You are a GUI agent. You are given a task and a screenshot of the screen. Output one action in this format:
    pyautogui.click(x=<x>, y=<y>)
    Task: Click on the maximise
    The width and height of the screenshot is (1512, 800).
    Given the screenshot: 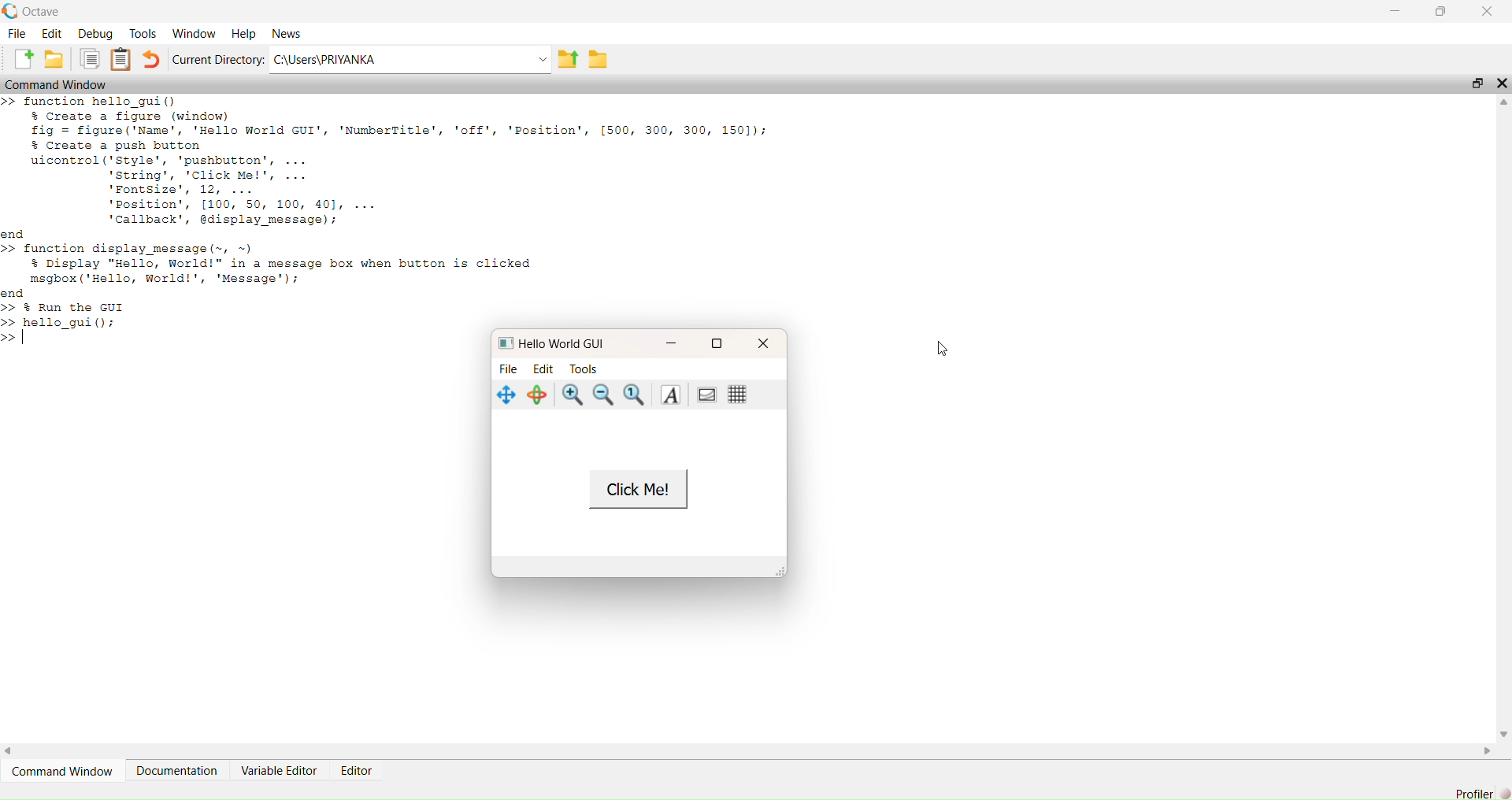 What is the action you would take?
    pyautogui.click(x=1473, y=80)
    